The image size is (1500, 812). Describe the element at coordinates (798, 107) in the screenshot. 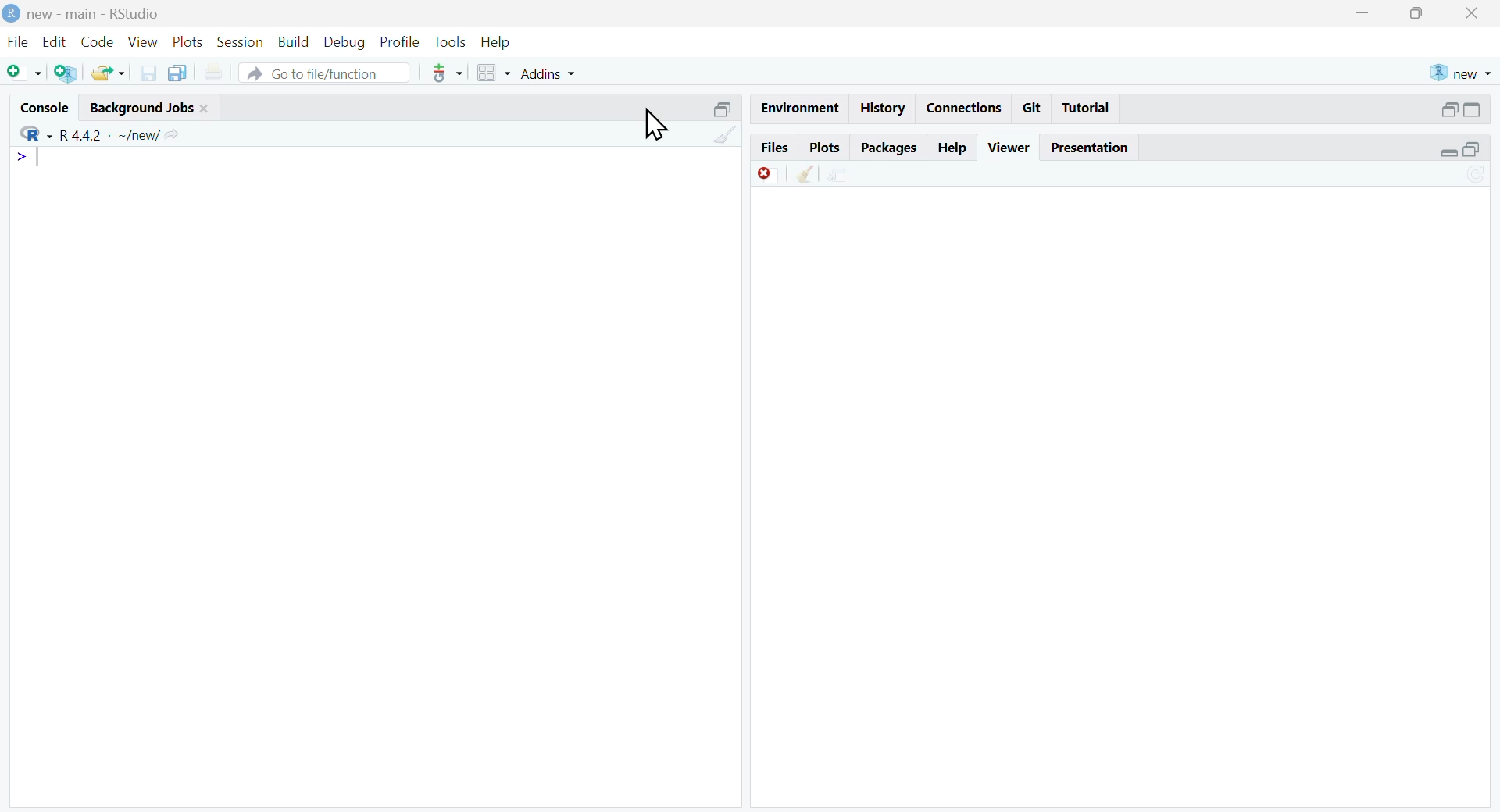

I see `enviornment` at that location.